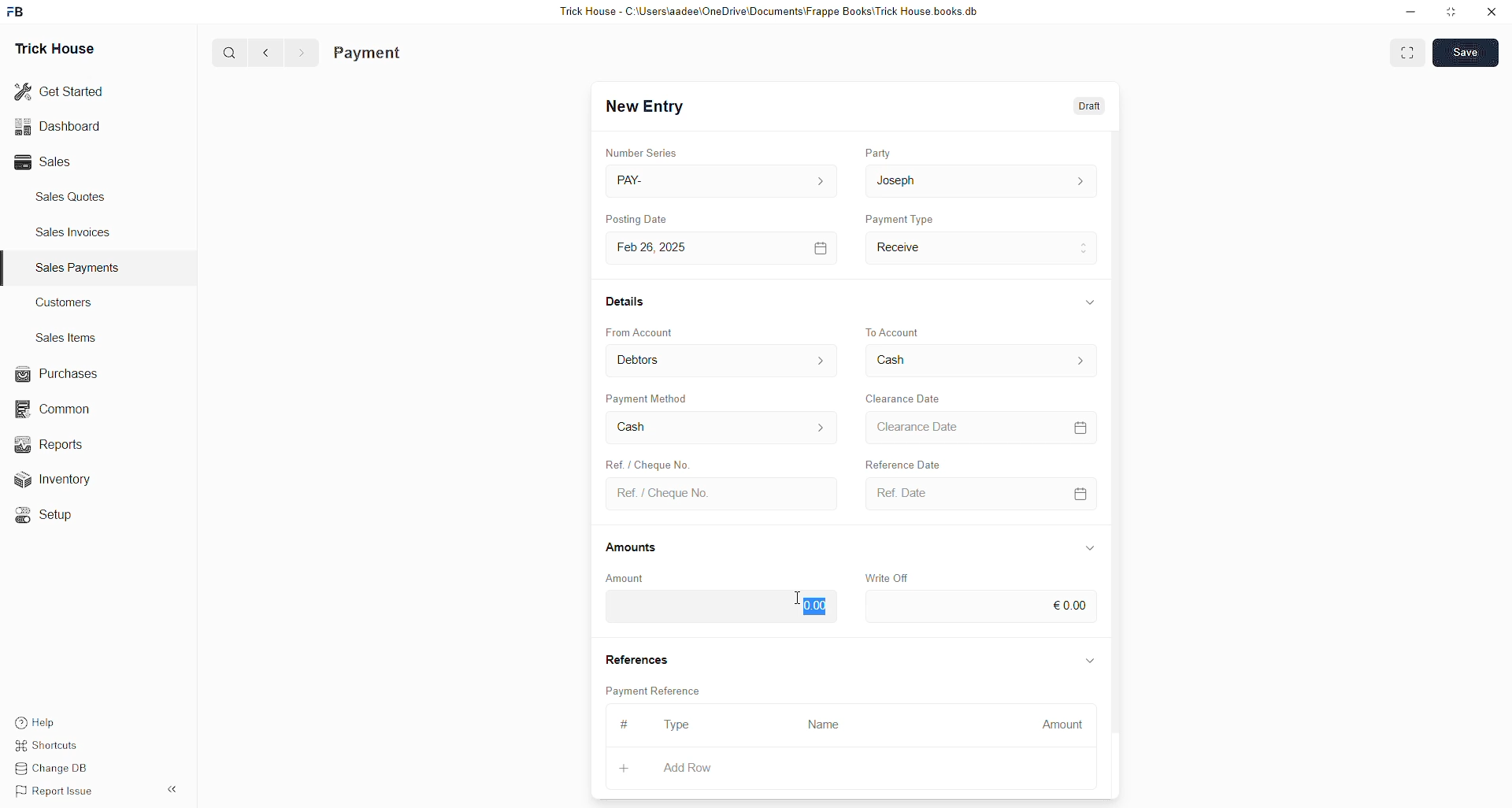  What do you see at coordinates (646, 462) in the screenshot?
I see `Ref. / Cheque No.` at bounding box center [646, 462].